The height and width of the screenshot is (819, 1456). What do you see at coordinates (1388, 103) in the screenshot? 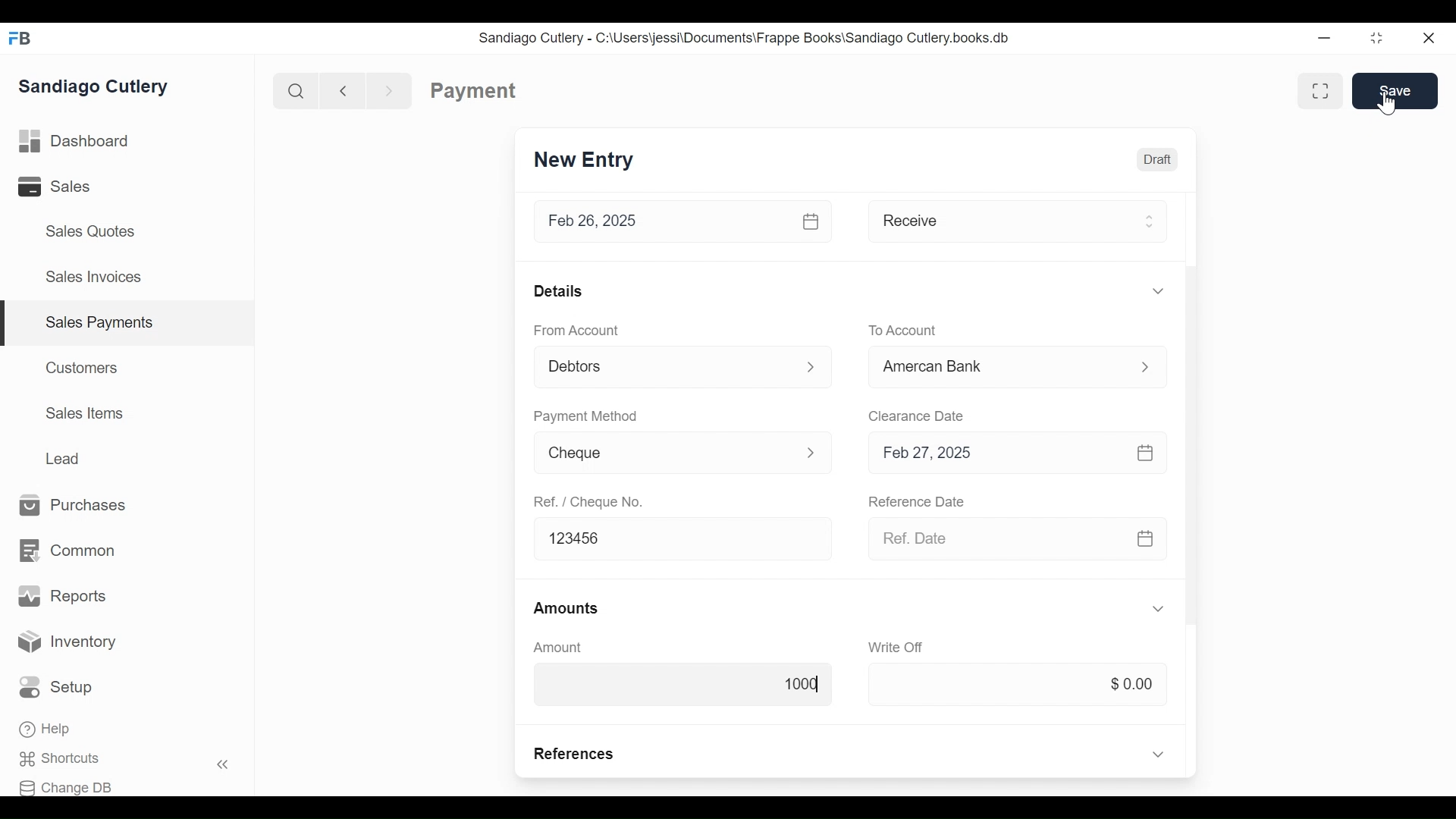
I see `Cursor` at bounding box center [1388, 103].